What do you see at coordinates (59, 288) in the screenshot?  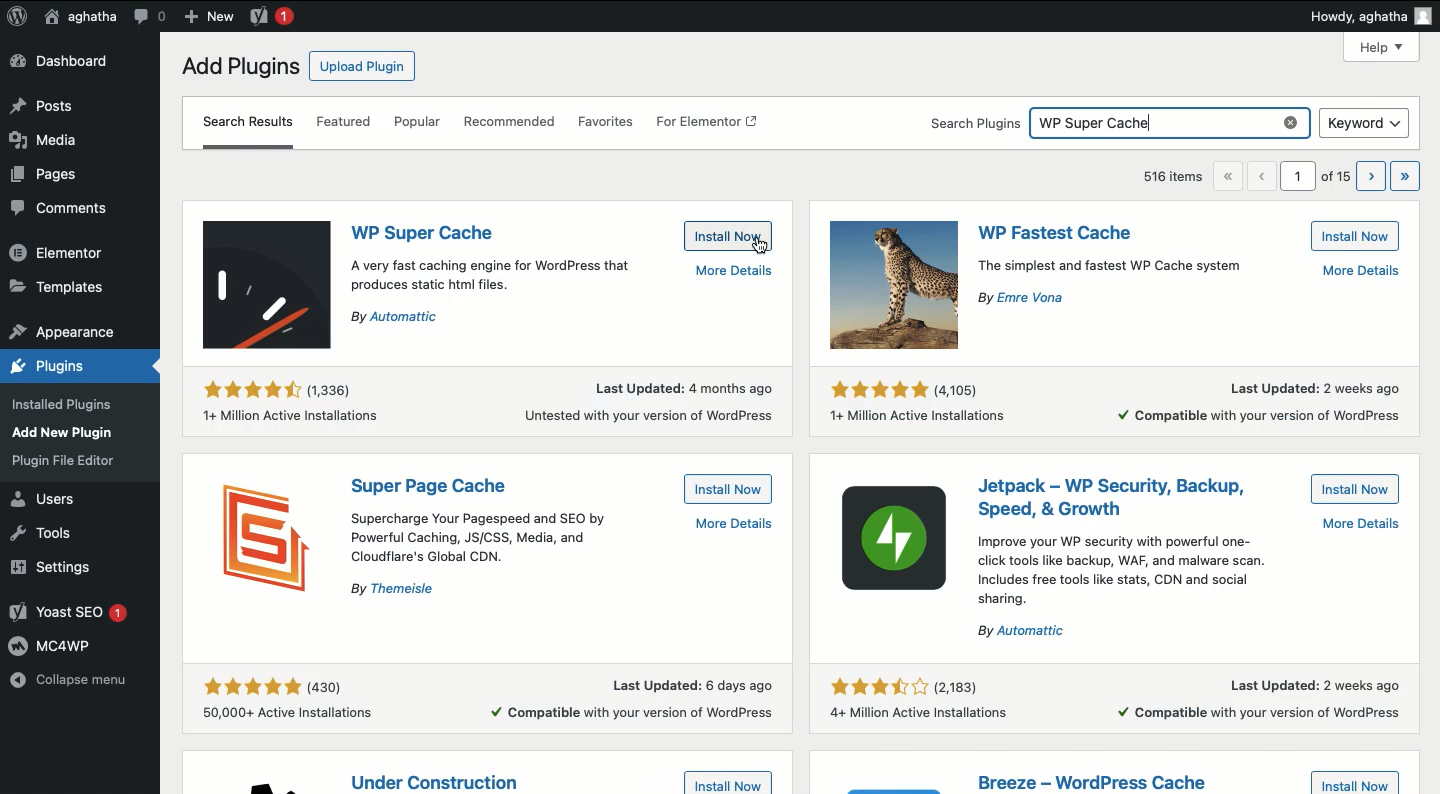 I see `Templates` at bounding box center [59, 288].